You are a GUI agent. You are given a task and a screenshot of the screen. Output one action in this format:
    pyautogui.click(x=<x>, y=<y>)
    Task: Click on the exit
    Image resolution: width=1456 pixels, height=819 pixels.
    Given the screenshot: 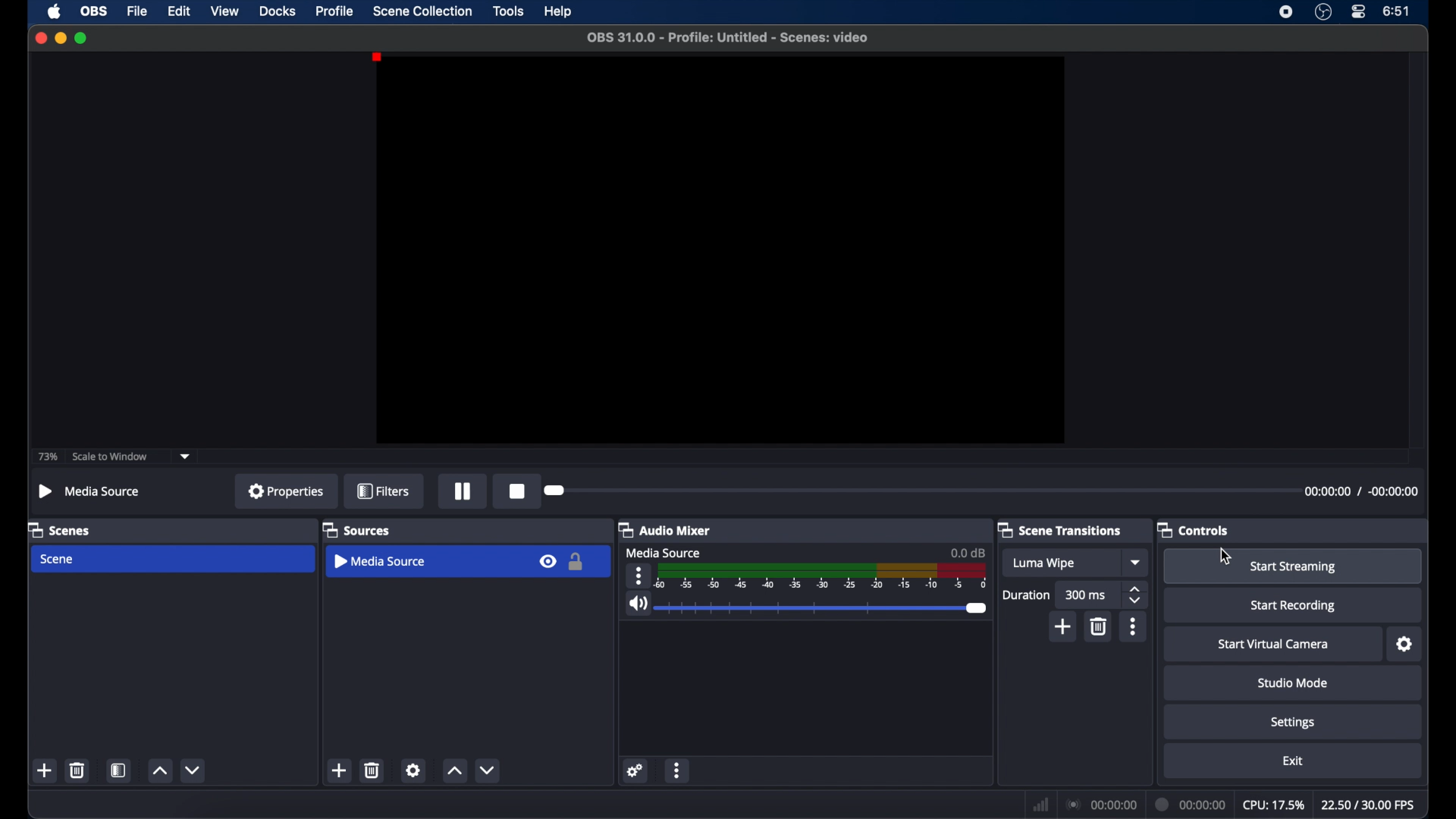 What is the action you would take?
    pyautogui.click(x=1293, y=761)
    